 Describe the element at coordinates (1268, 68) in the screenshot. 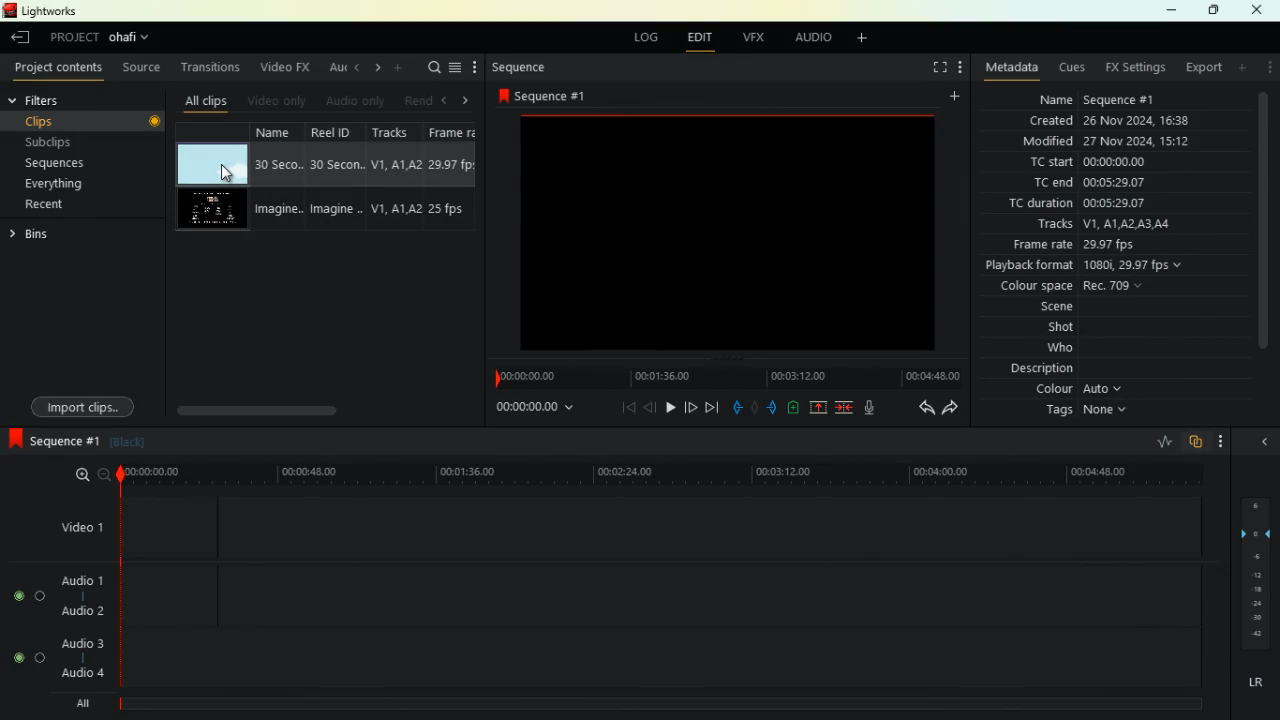

I see `more` at that location.